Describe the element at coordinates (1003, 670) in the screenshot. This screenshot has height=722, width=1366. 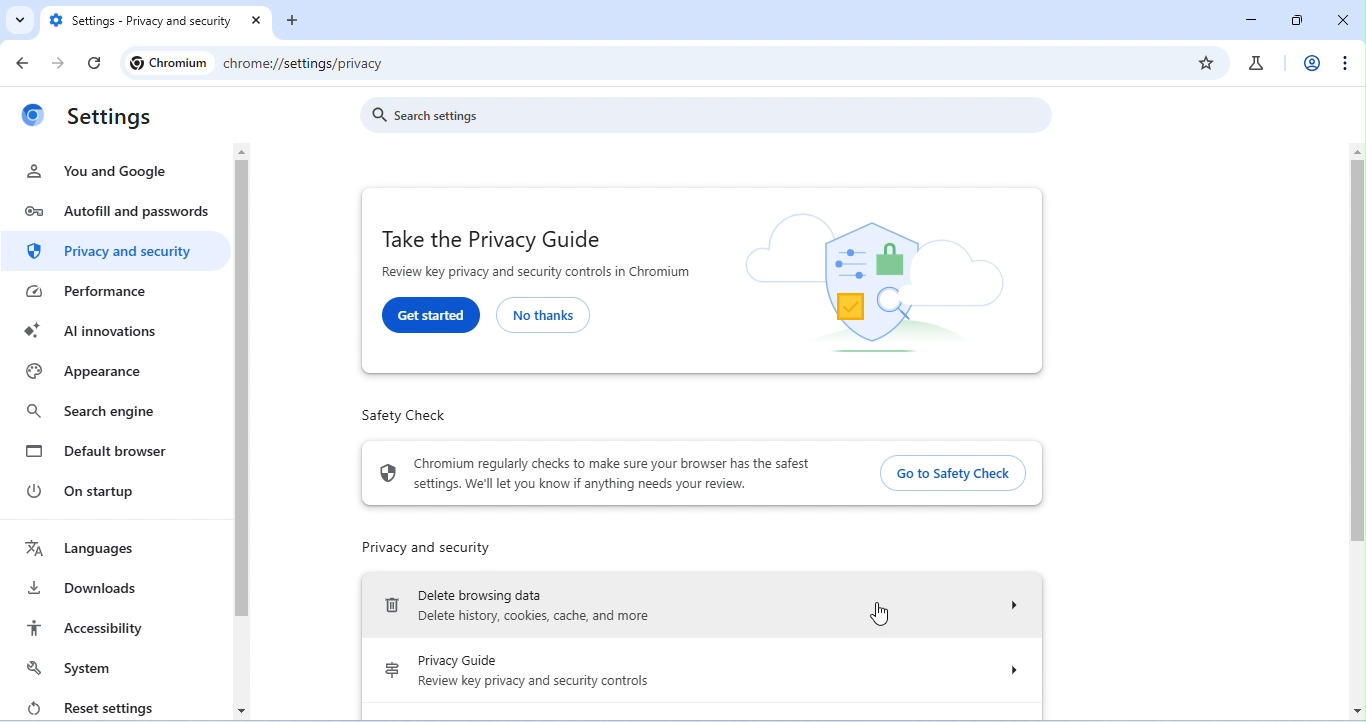
I see `drop down` at that location.